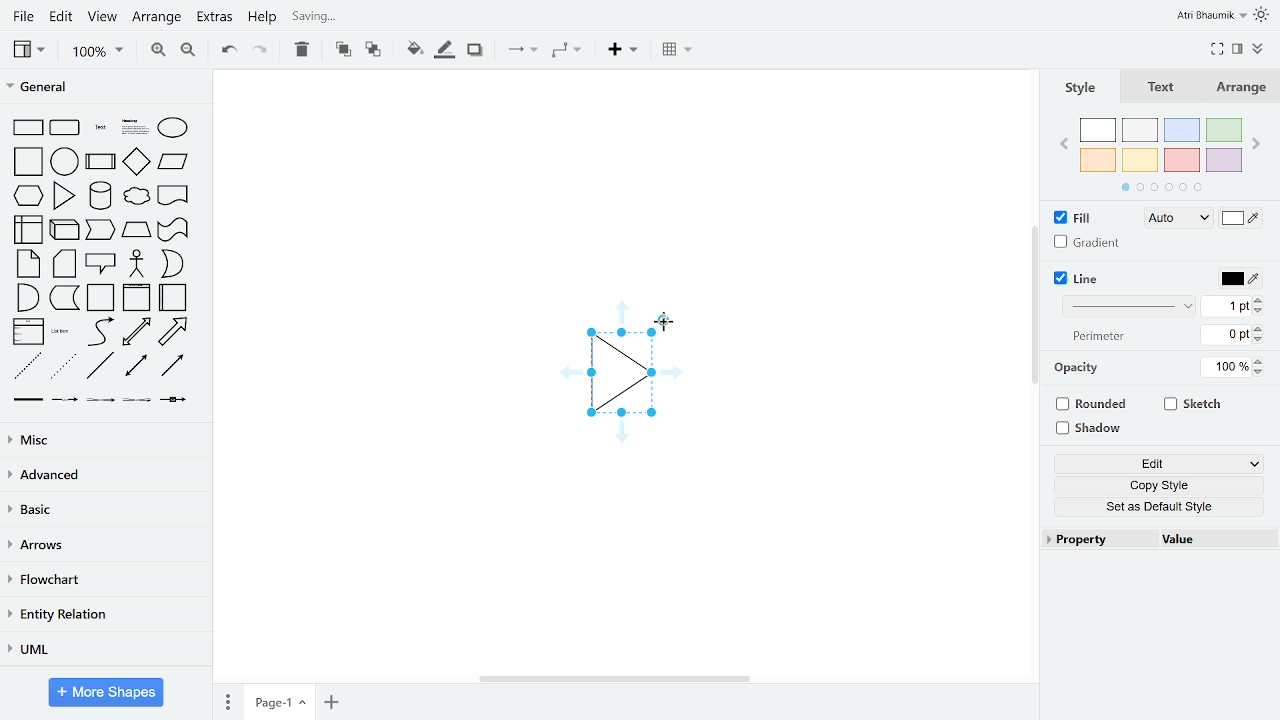 Image resolution: width=1280 pixels, height=720 pixels. I want to click on help, so click(263, 19).